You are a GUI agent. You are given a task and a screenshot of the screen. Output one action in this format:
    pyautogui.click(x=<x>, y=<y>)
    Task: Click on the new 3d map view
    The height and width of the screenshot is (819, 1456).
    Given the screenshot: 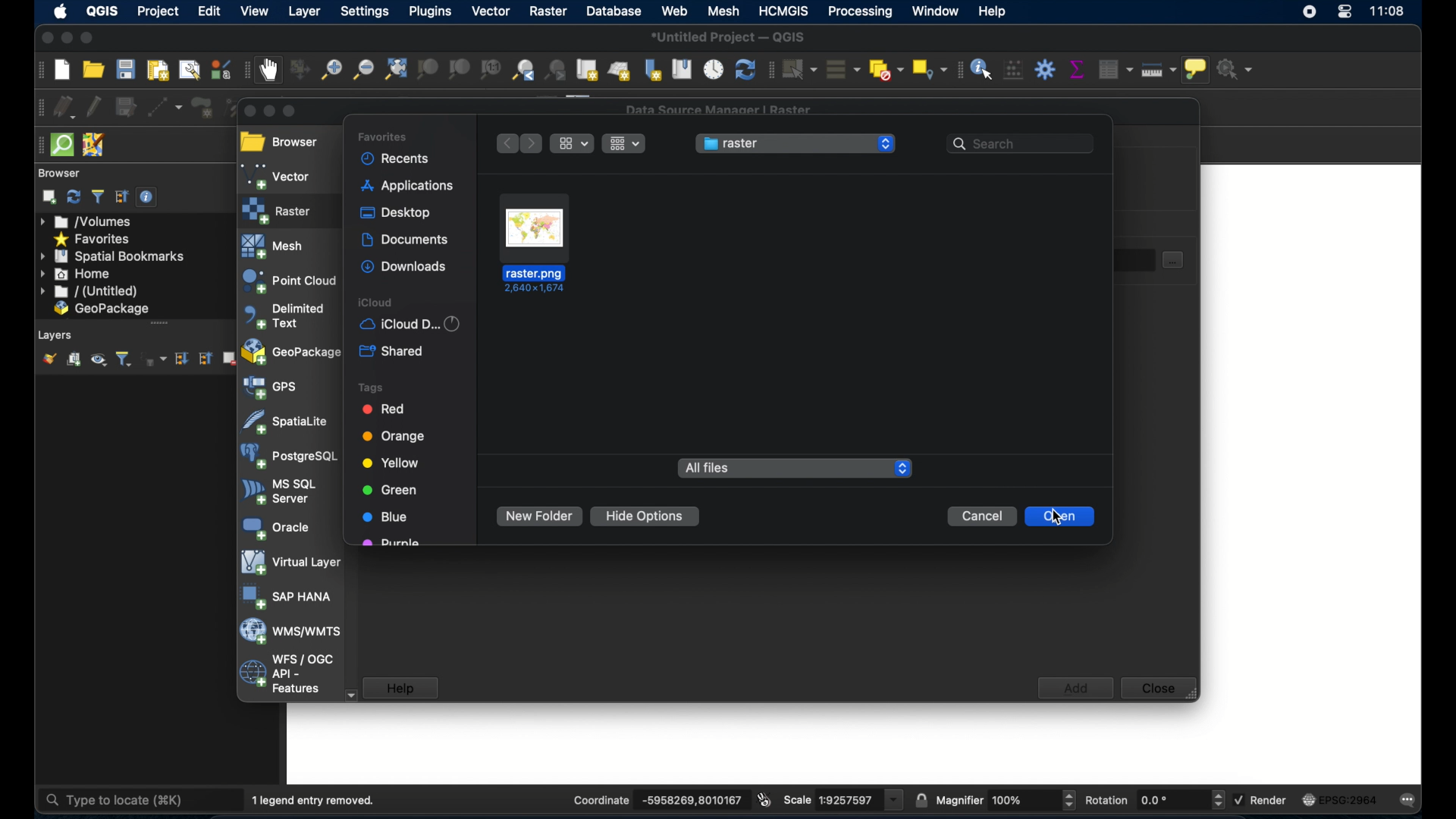 What is the action you would take?
    pyautogui.click(x=620, y=72)
    